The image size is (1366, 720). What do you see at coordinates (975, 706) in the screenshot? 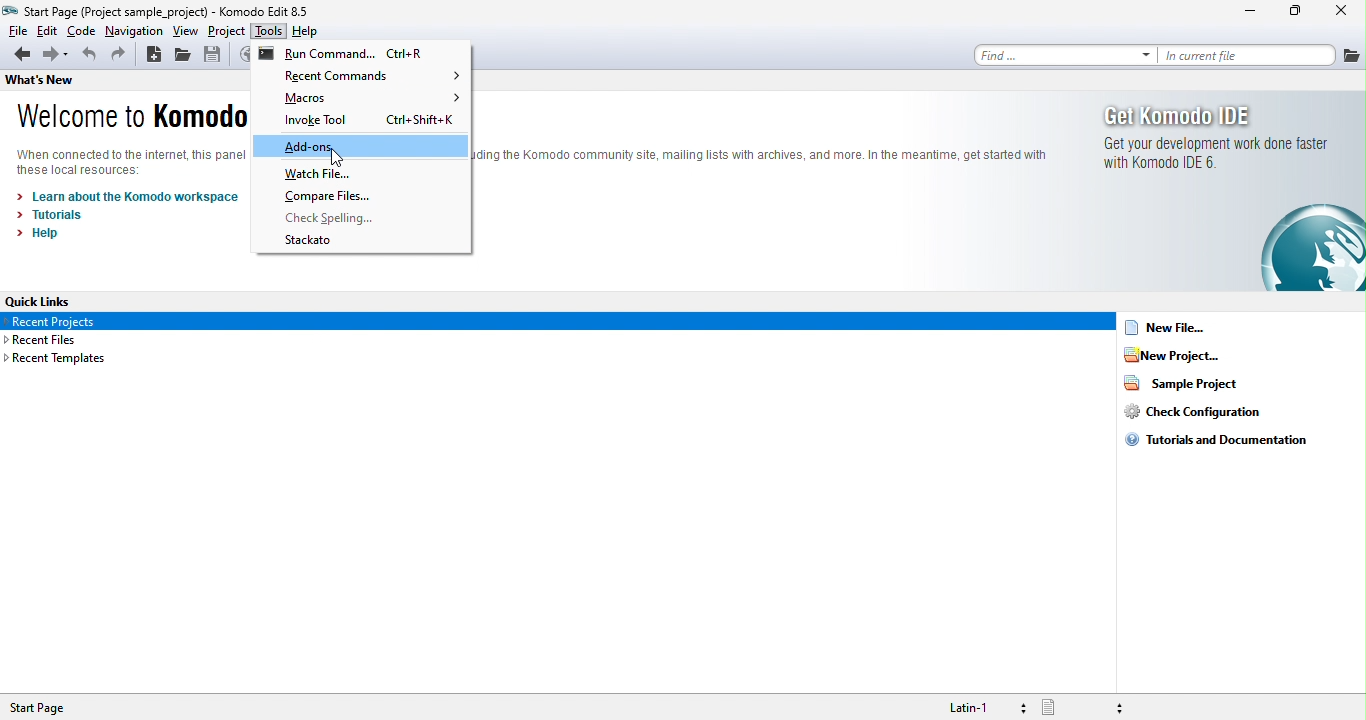
I see `latin 1` at bounding box center [975, 706].